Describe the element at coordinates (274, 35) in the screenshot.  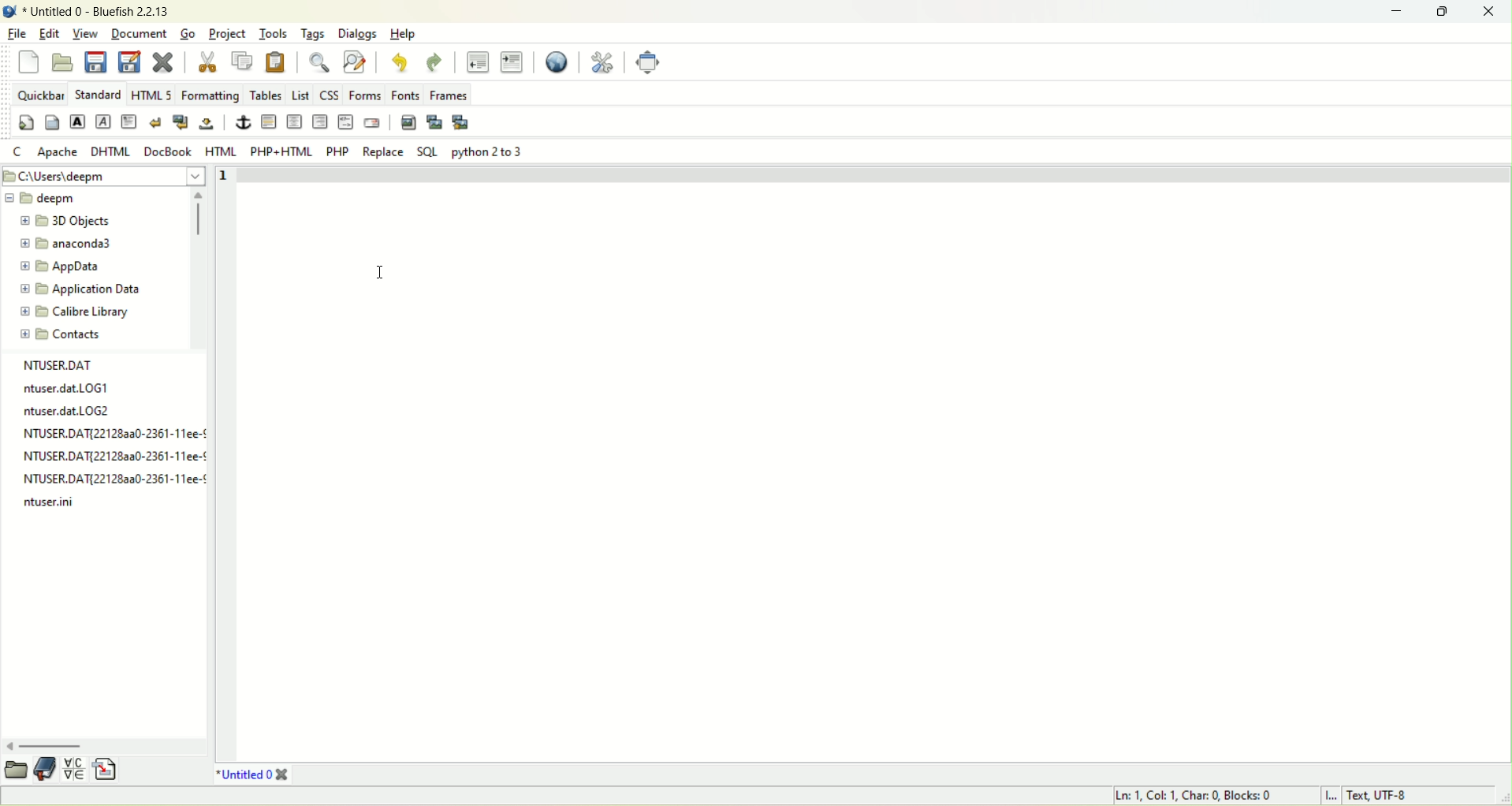
I see `tools` at that location.